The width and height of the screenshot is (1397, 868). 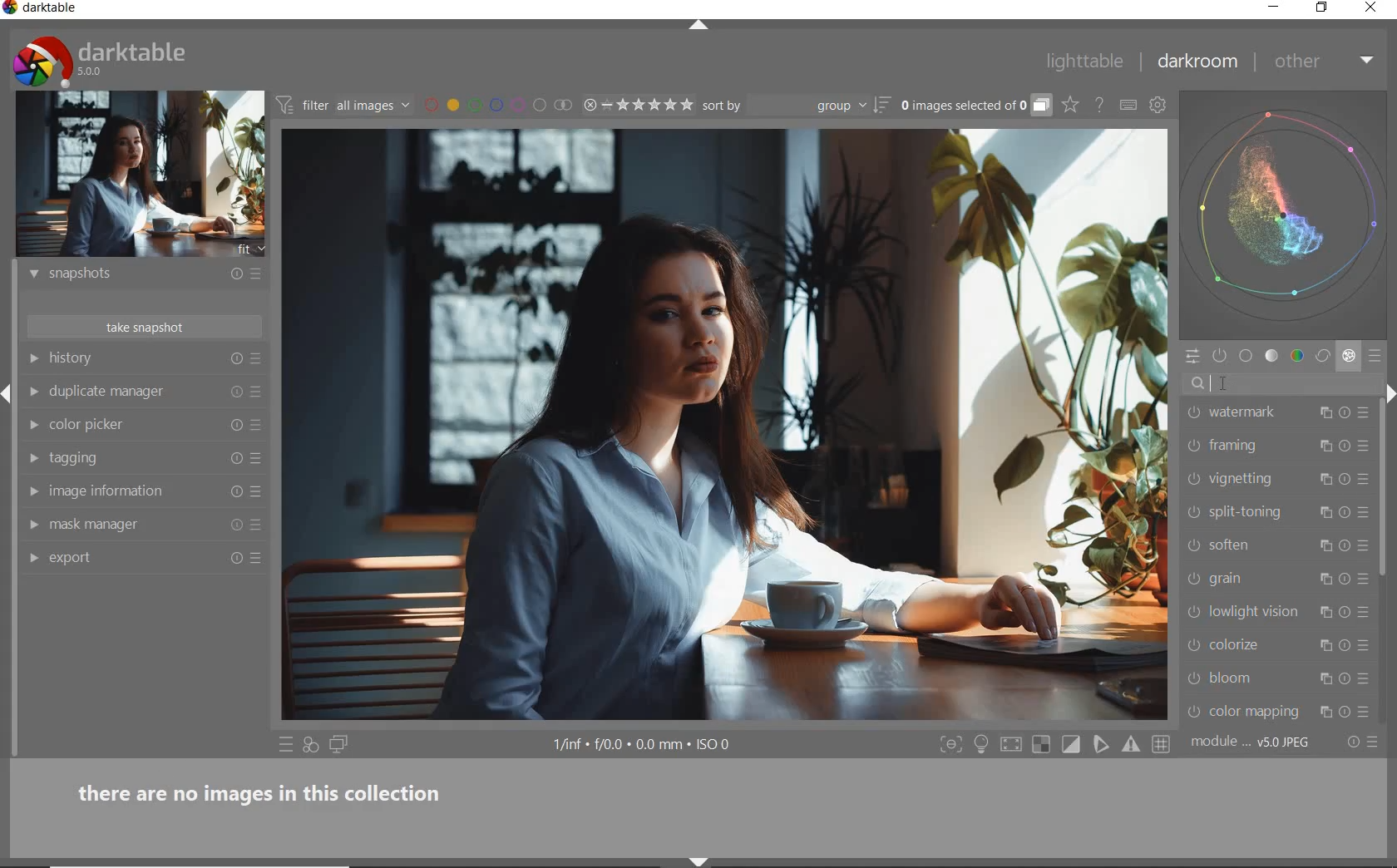 I want to click on there are no images in this collection, so click(x=269, y=791).